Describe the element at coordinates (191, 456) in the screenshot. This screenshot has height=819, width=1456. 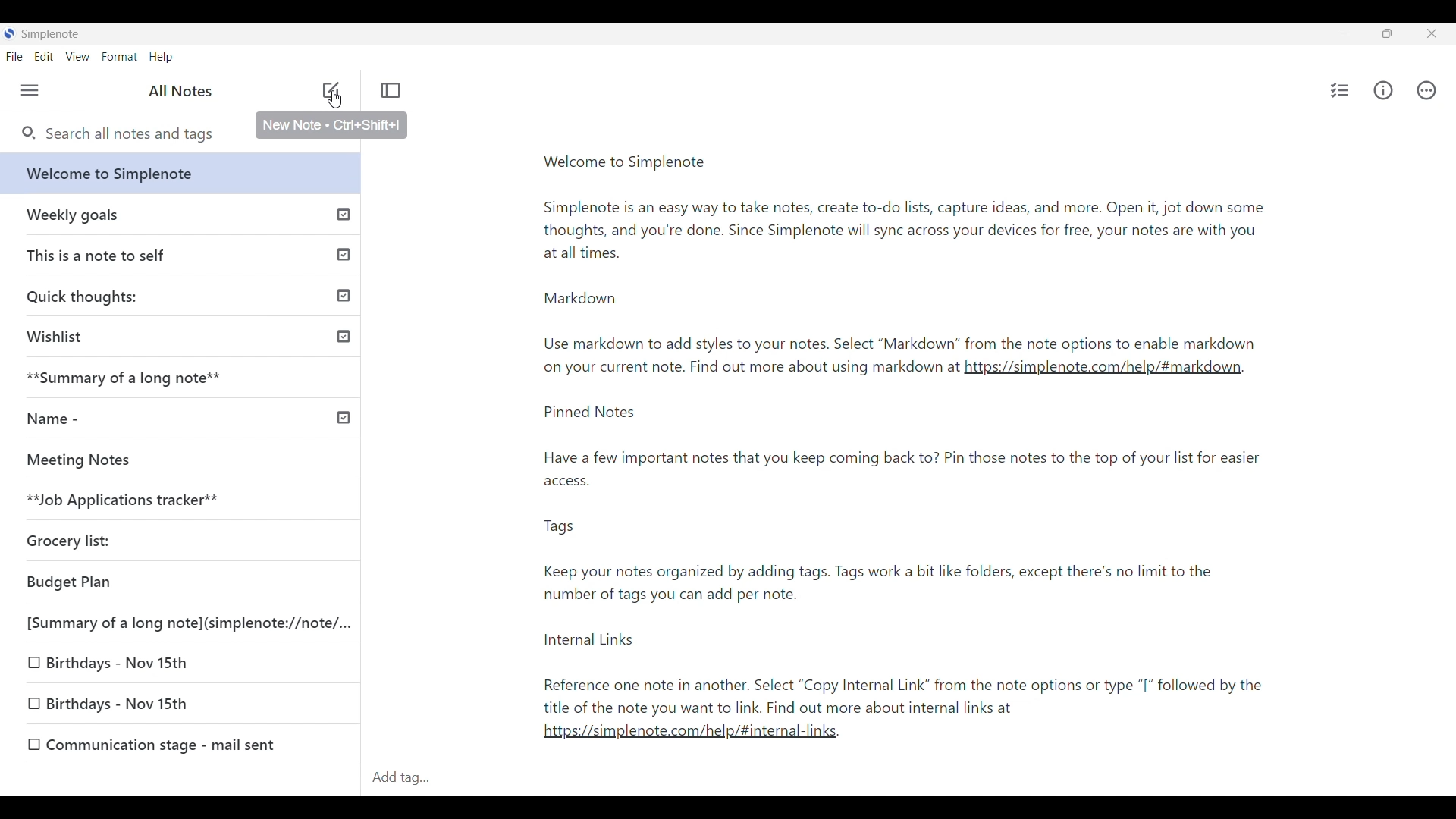
I see `Unpublished note` at that location.